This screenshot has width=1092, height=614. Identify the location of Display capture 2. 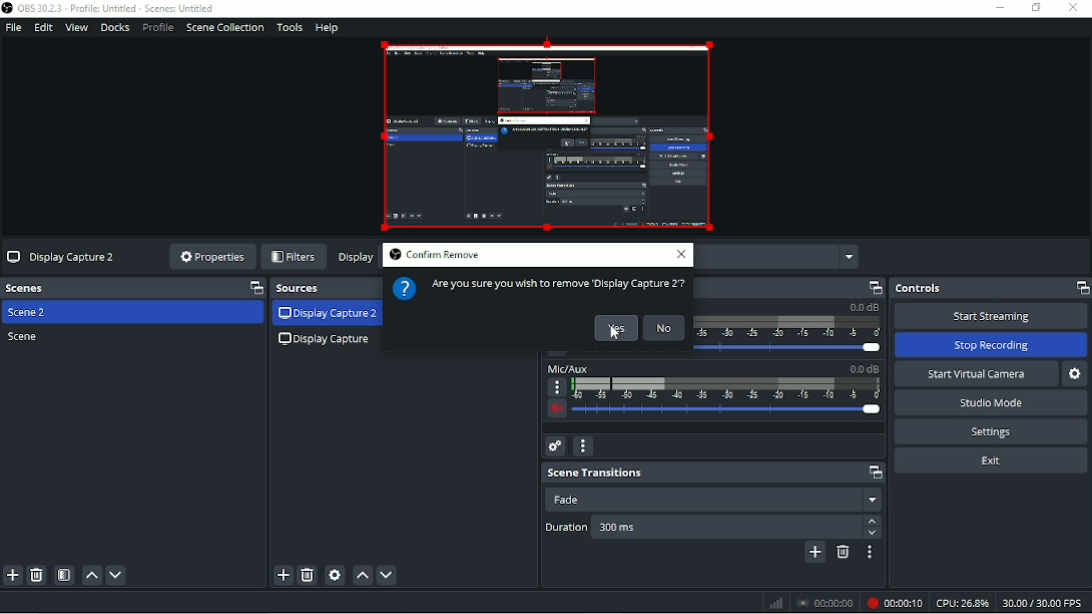
(328, 314).